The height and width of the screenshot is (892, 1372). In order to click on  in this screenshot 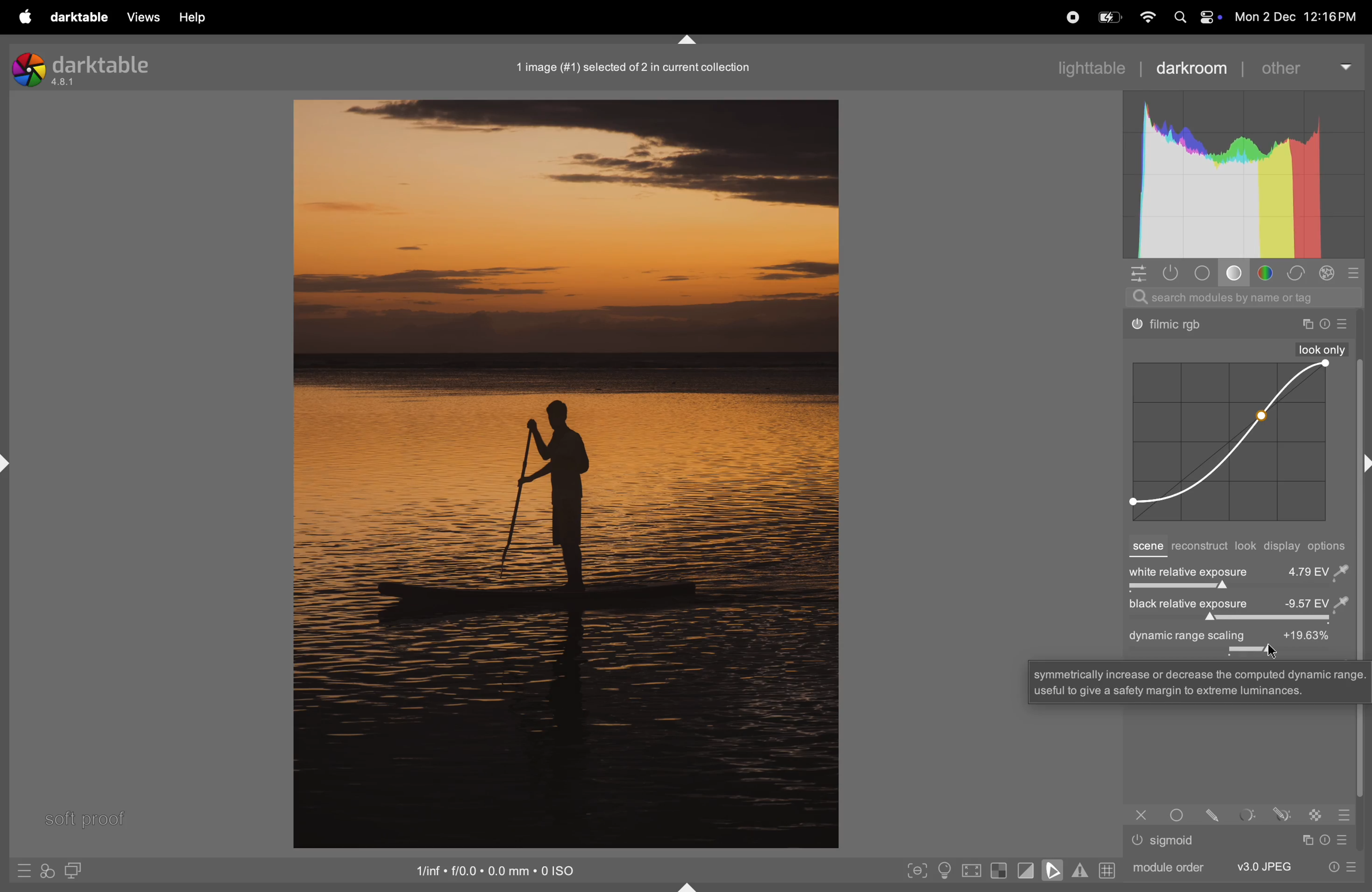, I will do `click(1180, 814)`.